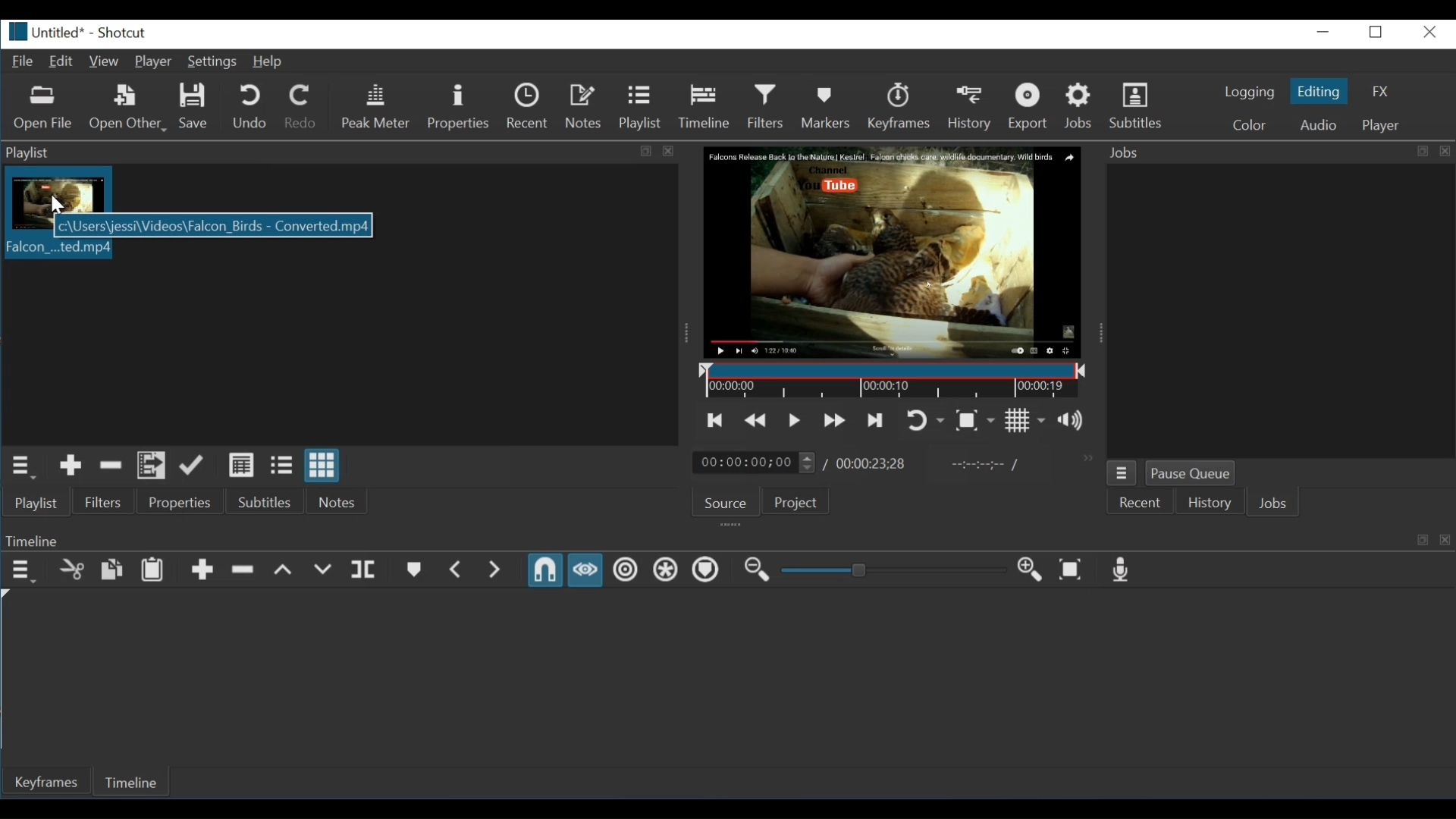  I want to click on Source, so click(726, 504).